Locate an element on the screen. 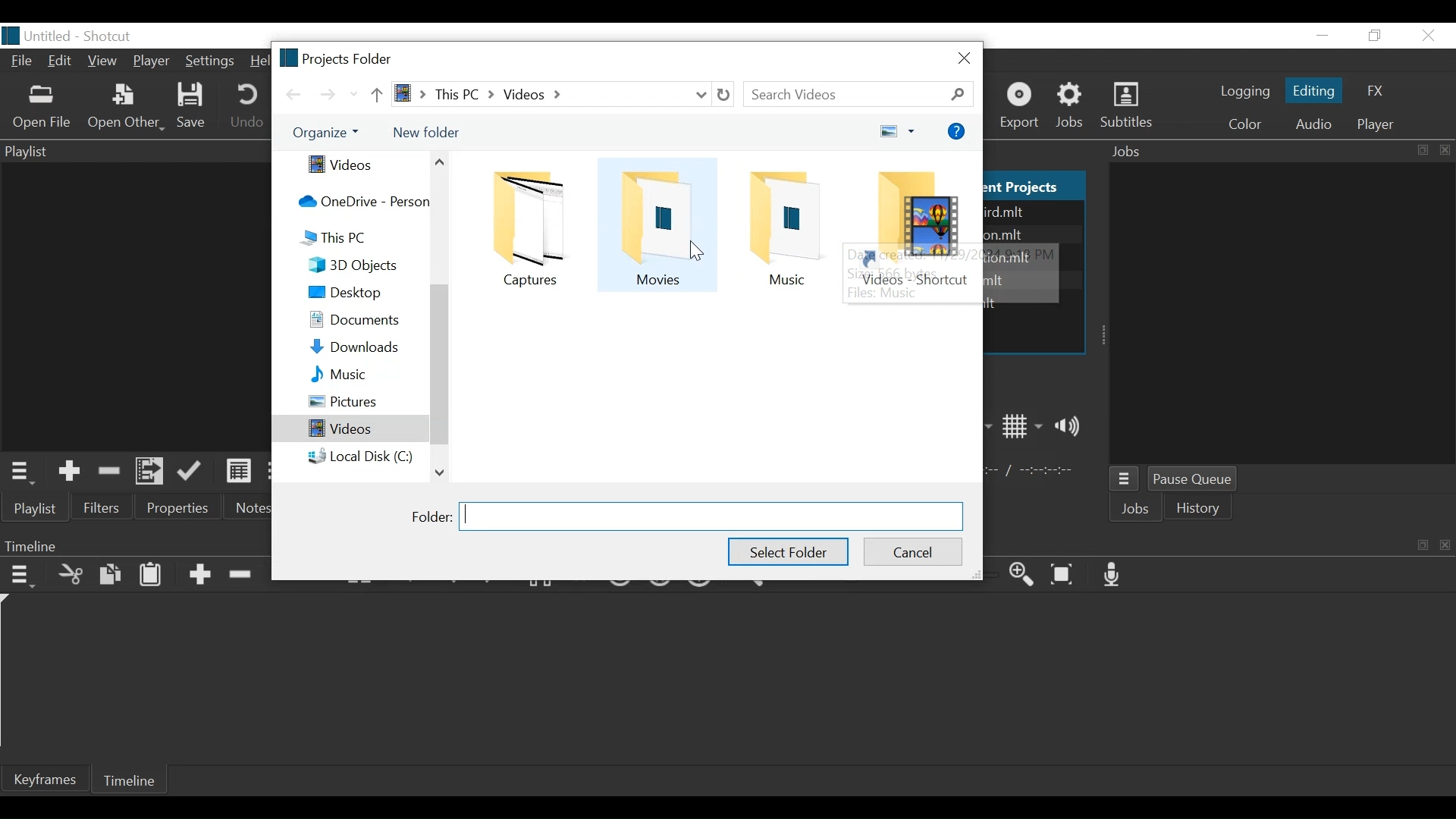  Add the Source to the playlist is located at coordinates (69, 471).